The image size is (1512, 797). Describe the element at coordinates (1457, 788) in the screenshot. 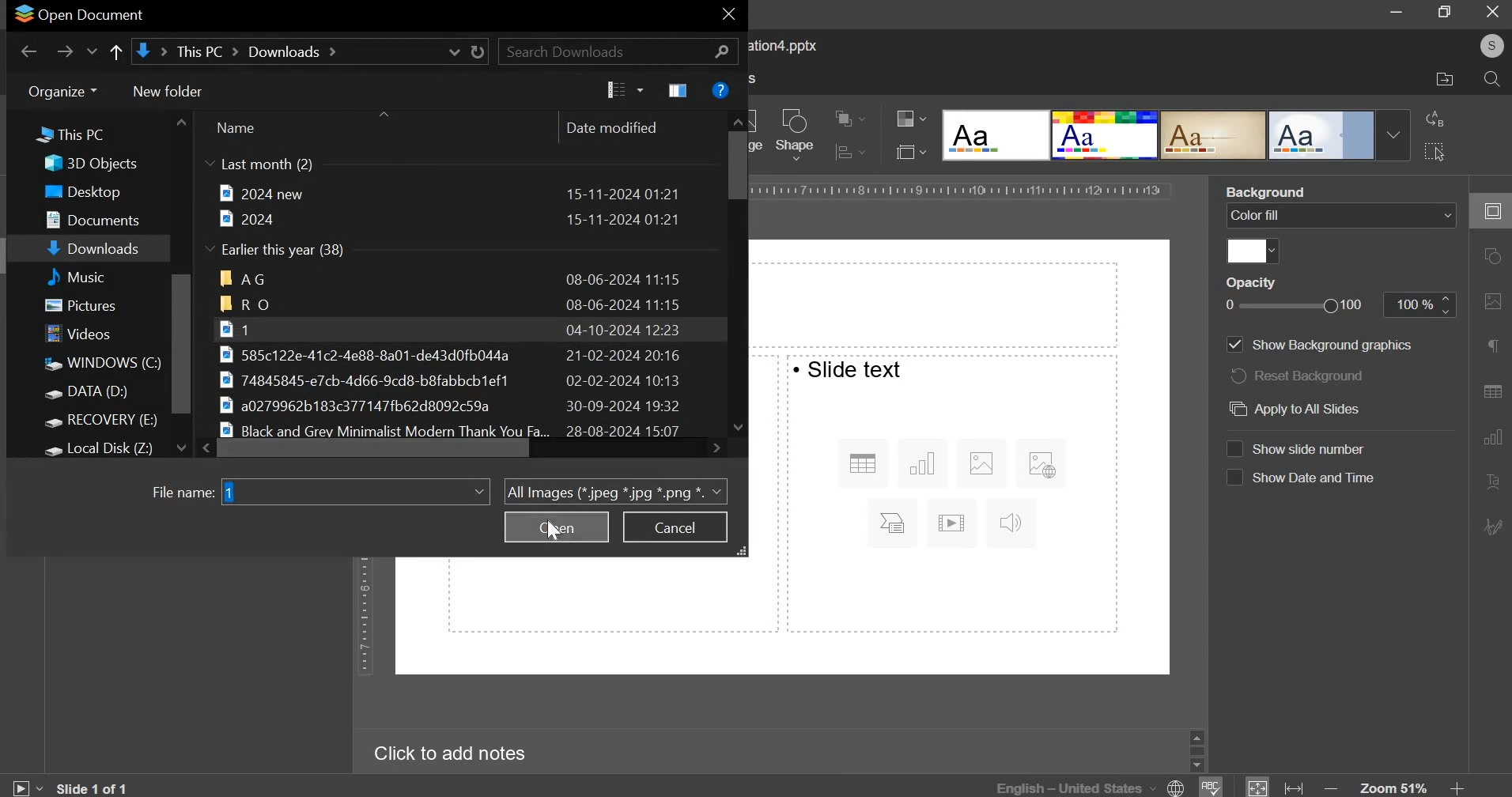

I see `increase zoom` at that location.